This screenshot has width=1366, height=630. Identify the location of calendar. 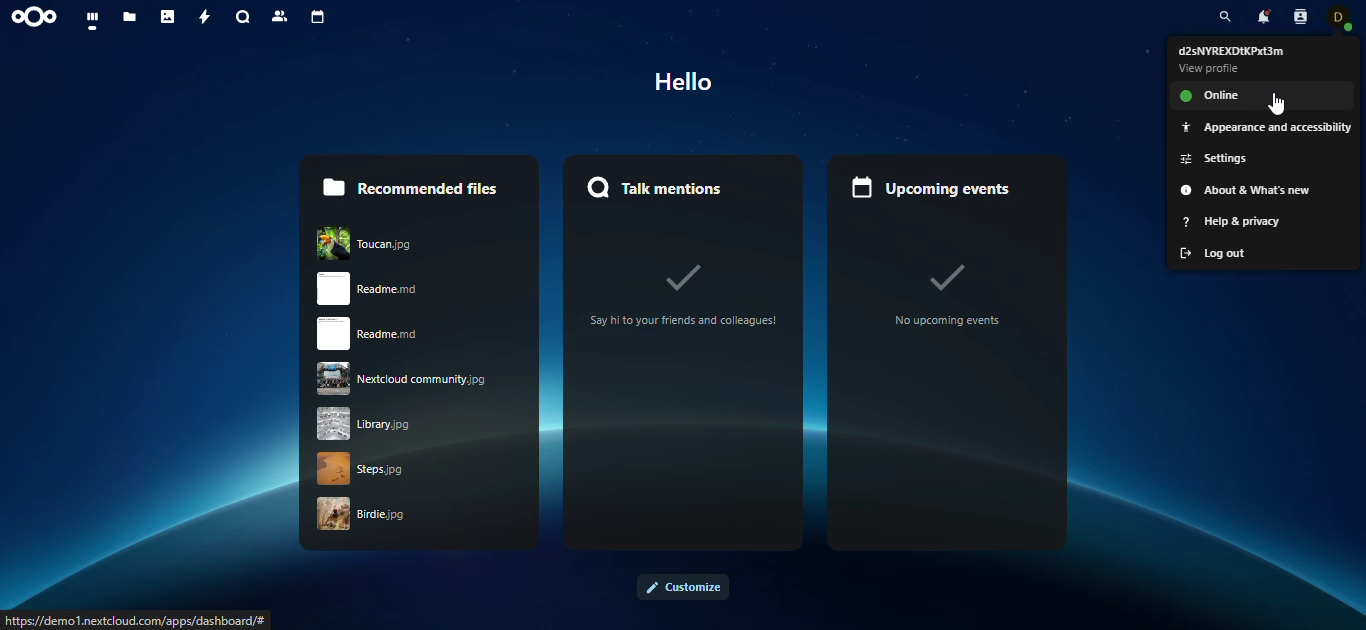
(319, 18).